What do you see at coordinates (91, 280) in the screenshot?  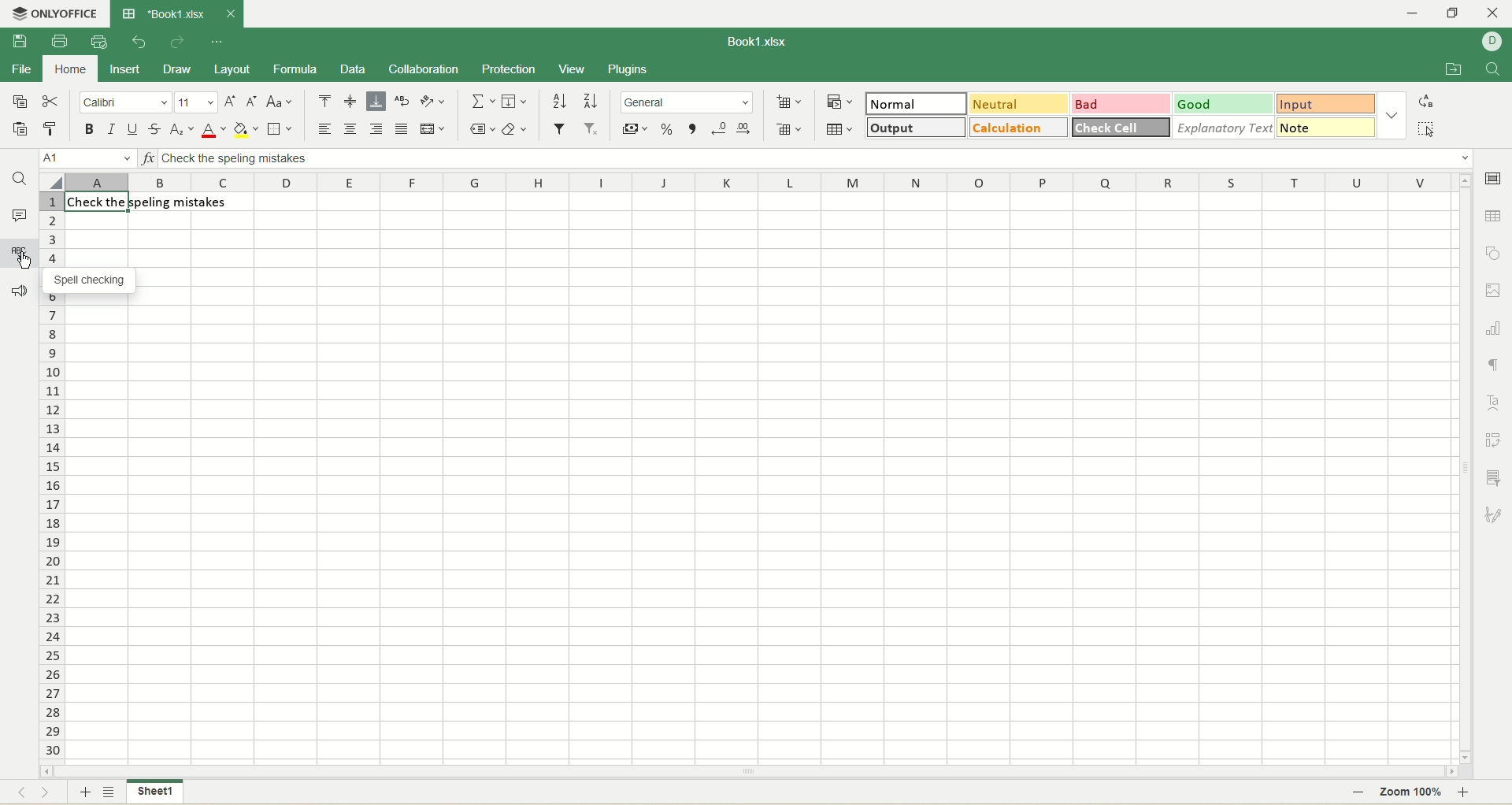 I see `spell checking` at bounding box center [91, 280].